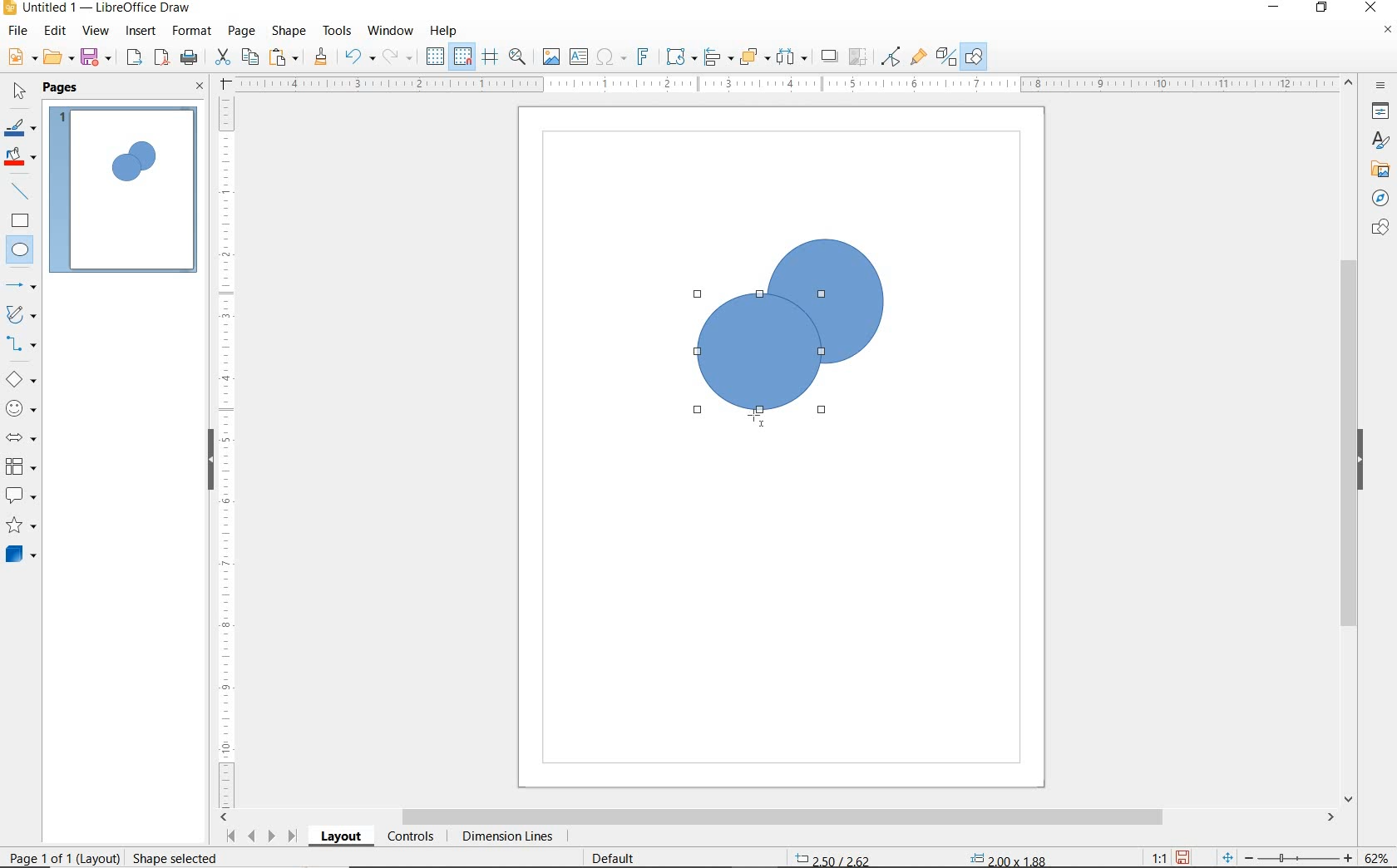  Describe the element at coordinates (551, 57) in the screenshot. I see `INSERT IMAGE` at that location.